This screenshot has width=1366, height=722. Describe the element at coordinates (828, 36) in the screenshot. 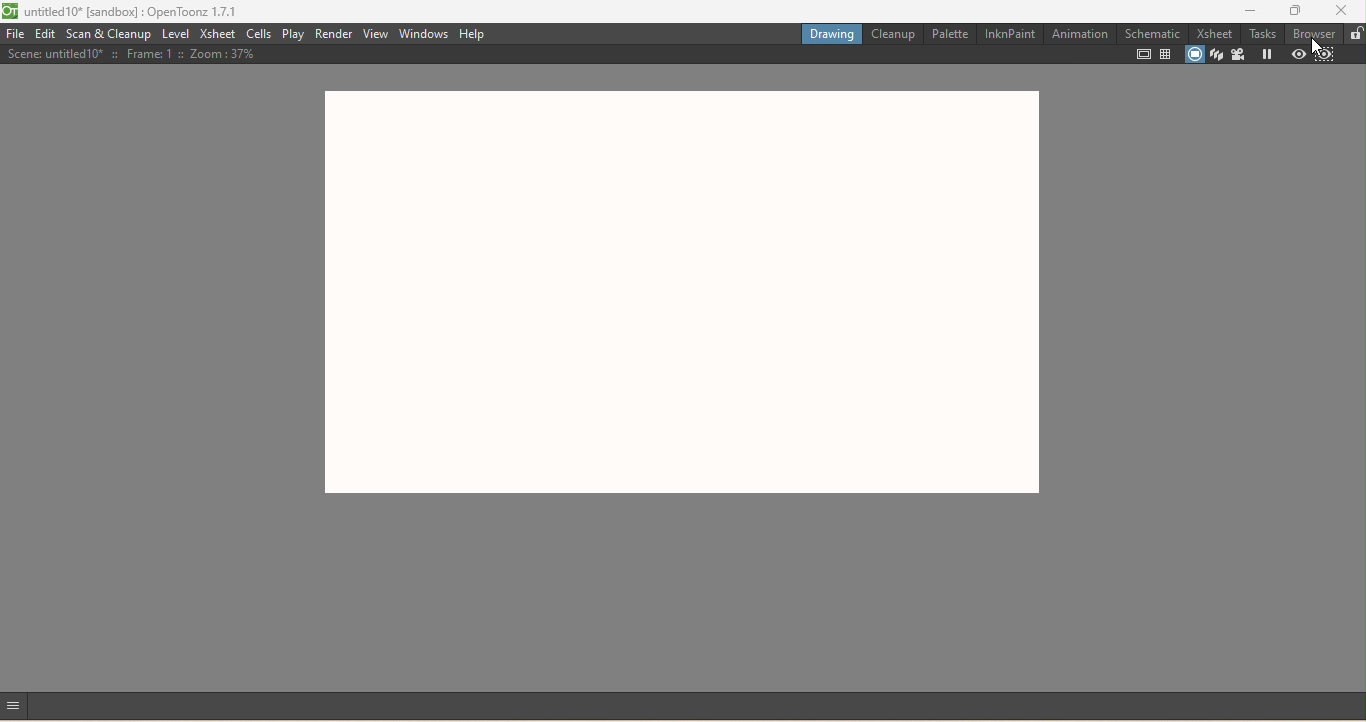

I see `Drawing` at that location.